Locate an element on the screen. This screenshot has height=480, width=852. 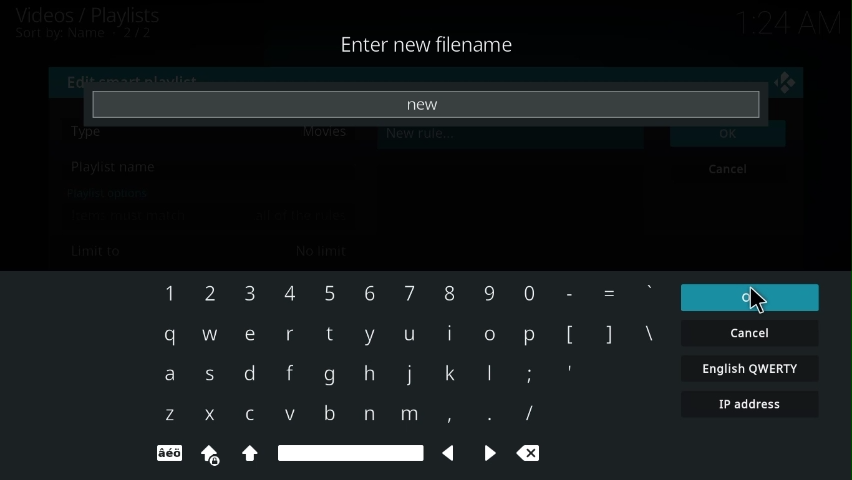
t is located at coordinates (327, 336).